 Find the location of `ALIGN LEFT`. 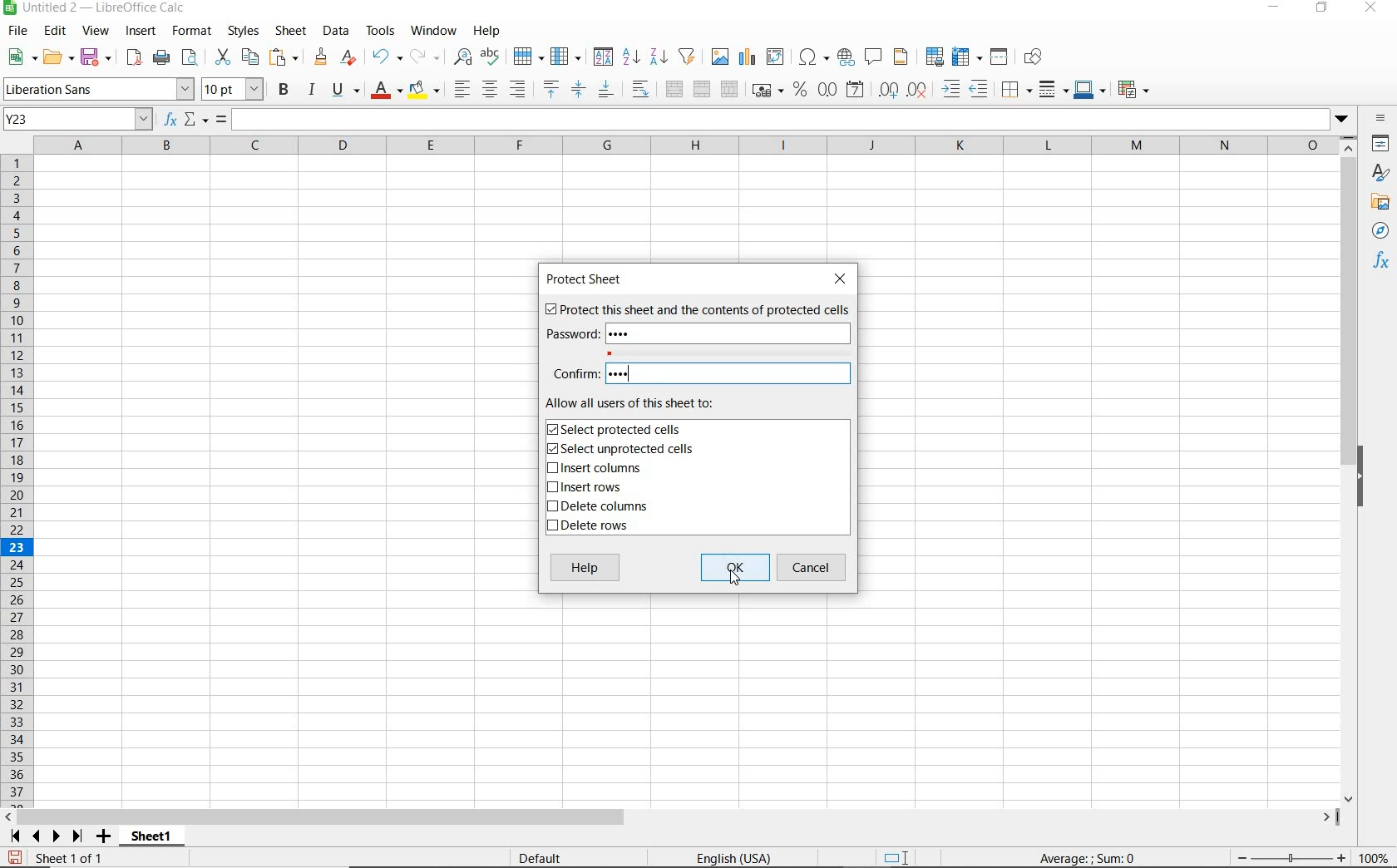

ALIGN LEFT is located at coordinates (462, 89).